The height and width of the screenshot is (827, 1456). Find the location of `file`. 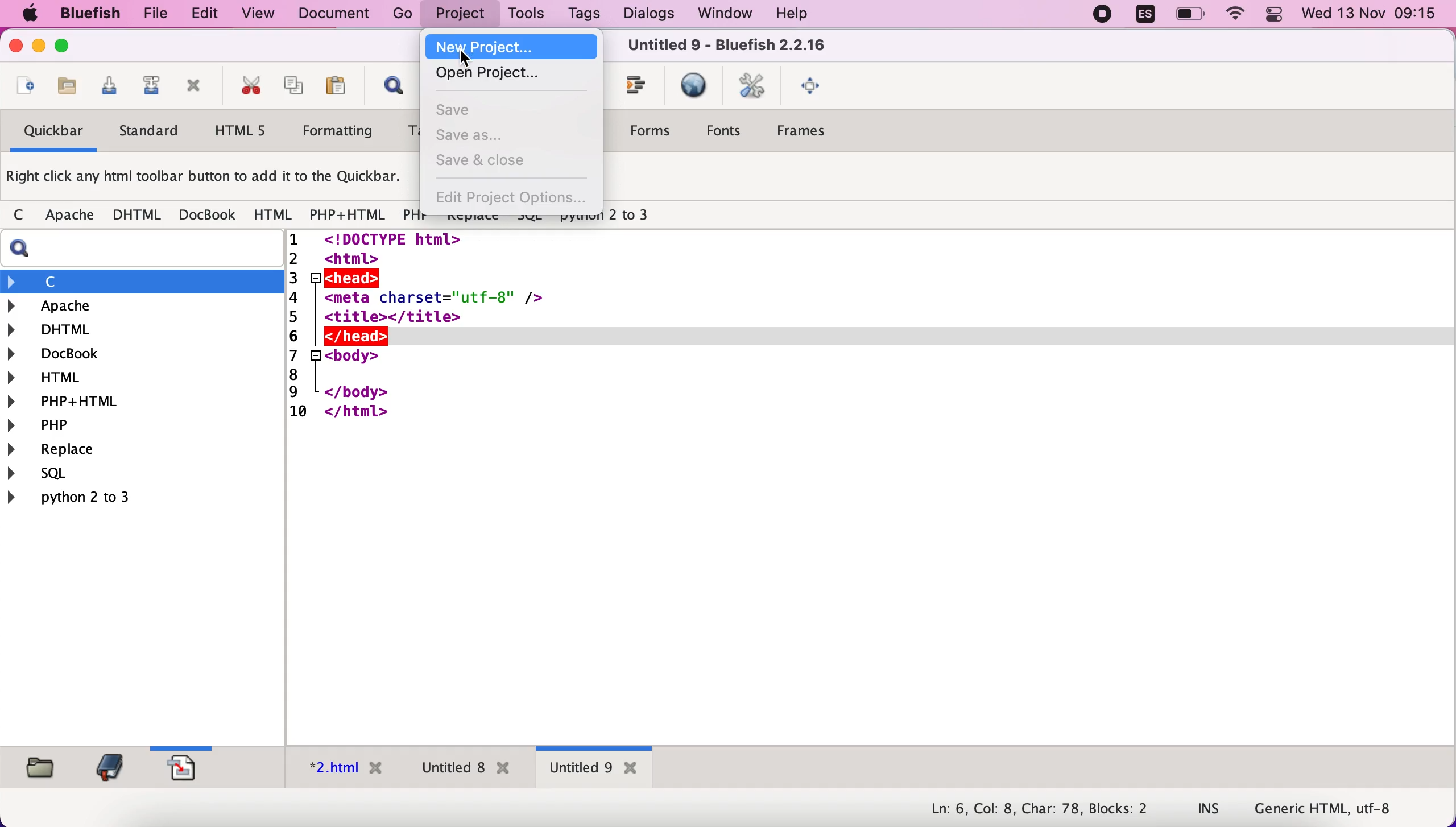

file is located at coordinates (150, 14).